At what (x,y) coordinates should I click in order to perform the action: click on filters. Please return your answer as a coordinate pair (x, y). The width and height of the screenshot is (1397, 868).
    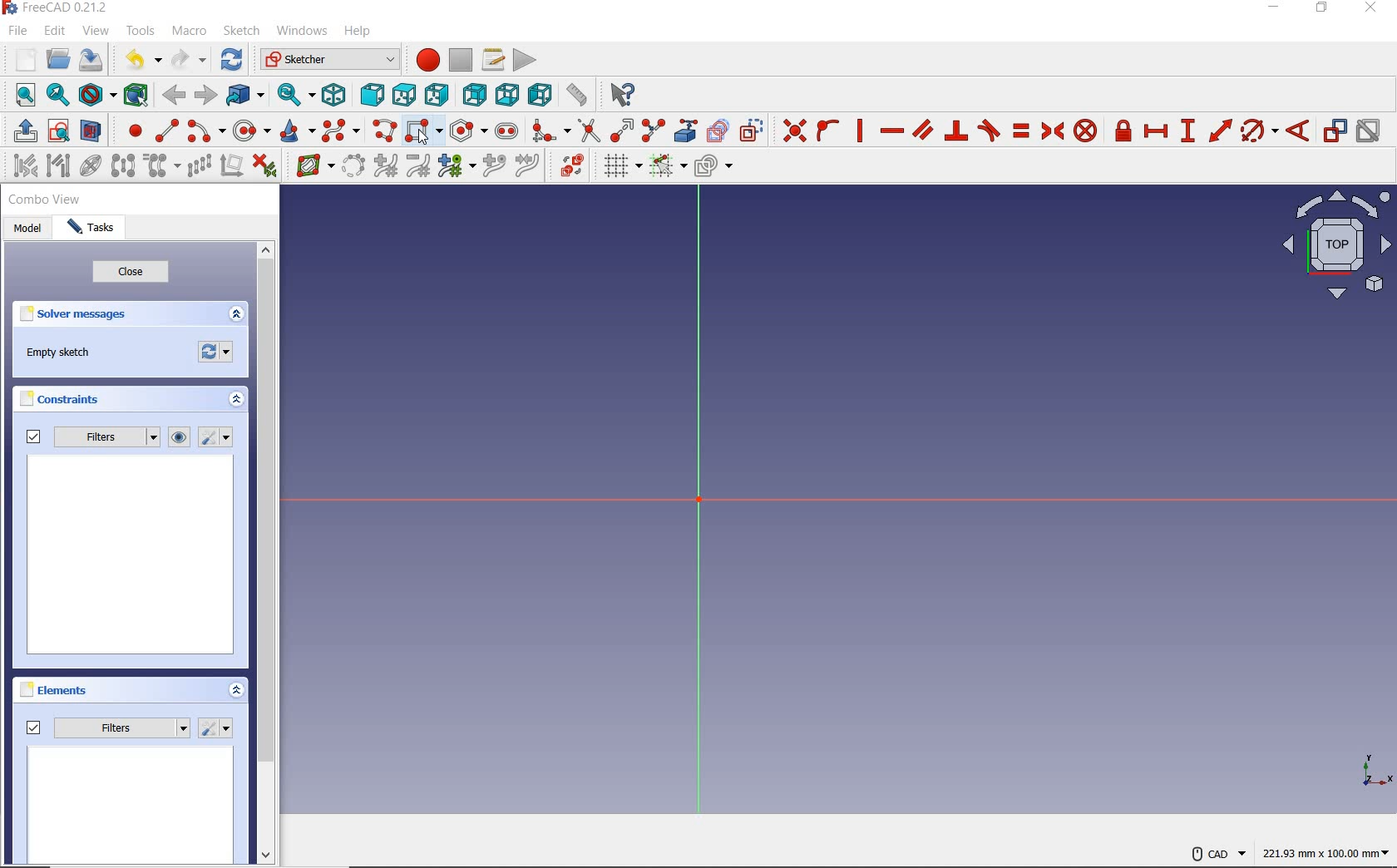
    Looking at the image, I should click on (91, 438).